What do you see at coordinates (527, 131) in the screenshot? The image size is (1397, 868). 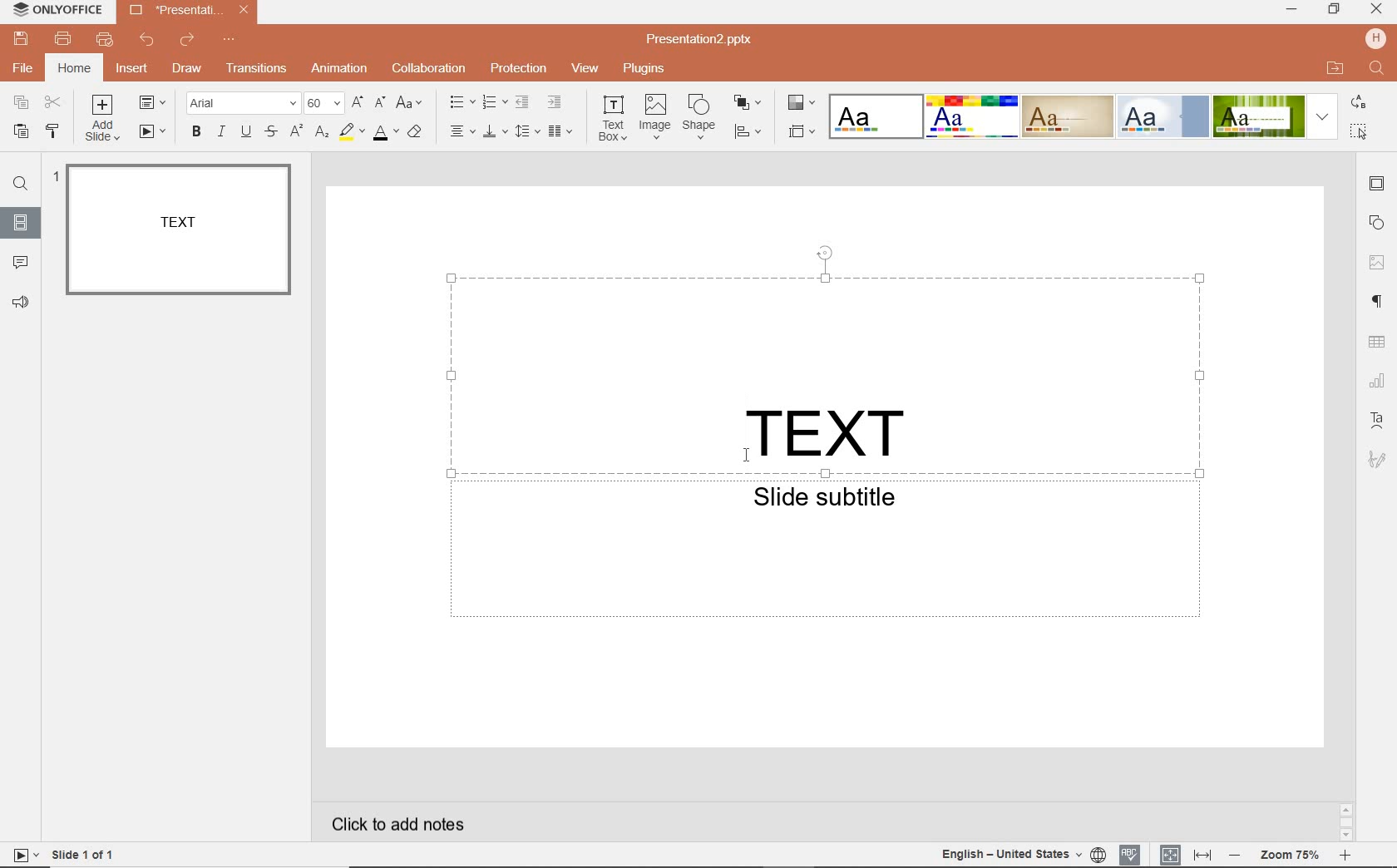 I see `line spacing` at bounding box center [527, 131].